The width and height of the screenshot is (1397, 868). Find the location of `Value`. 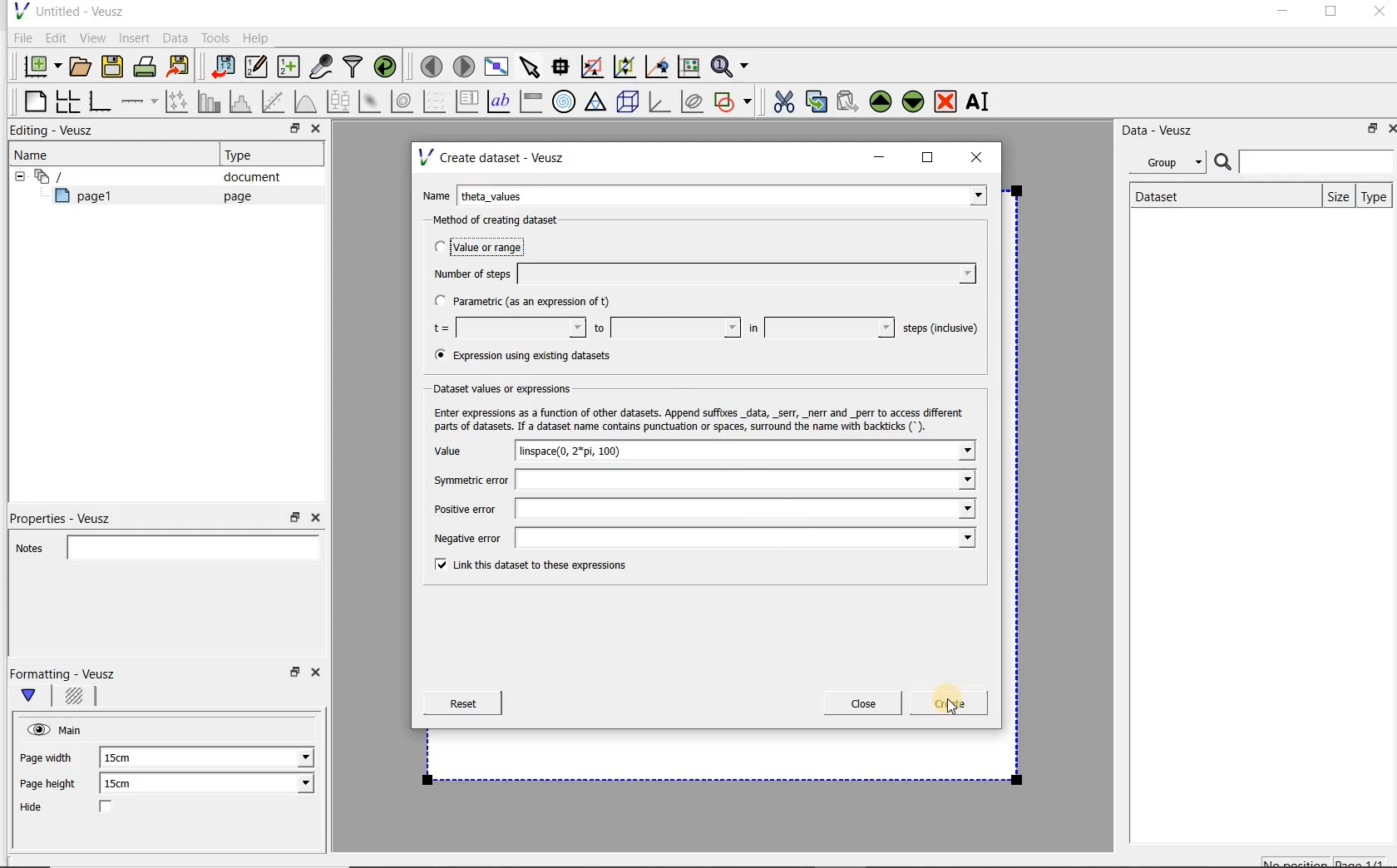

Value is located at coordinates (465, 451).